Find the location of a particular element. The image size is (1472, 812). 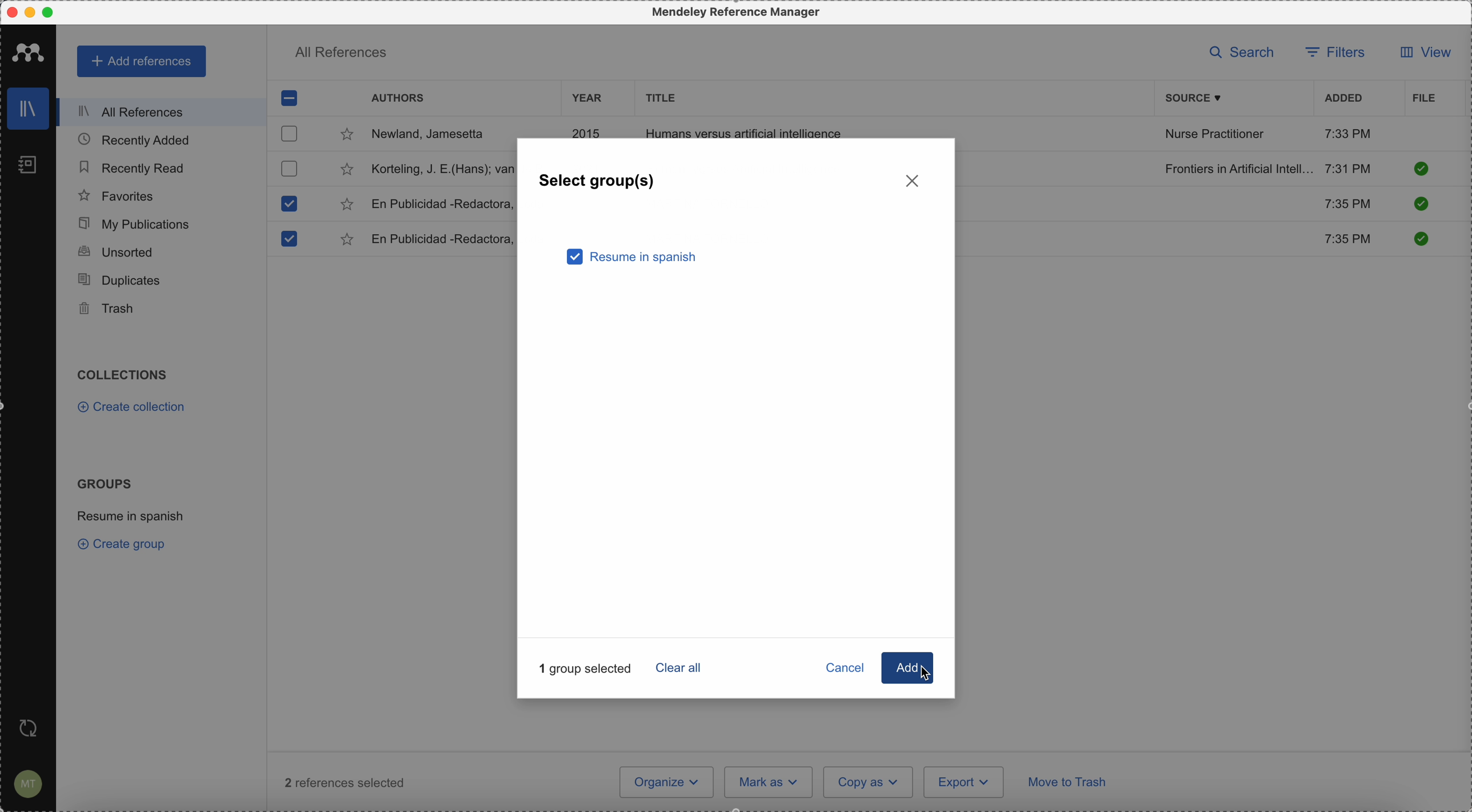

last sync is located at coordinates (26, 729).